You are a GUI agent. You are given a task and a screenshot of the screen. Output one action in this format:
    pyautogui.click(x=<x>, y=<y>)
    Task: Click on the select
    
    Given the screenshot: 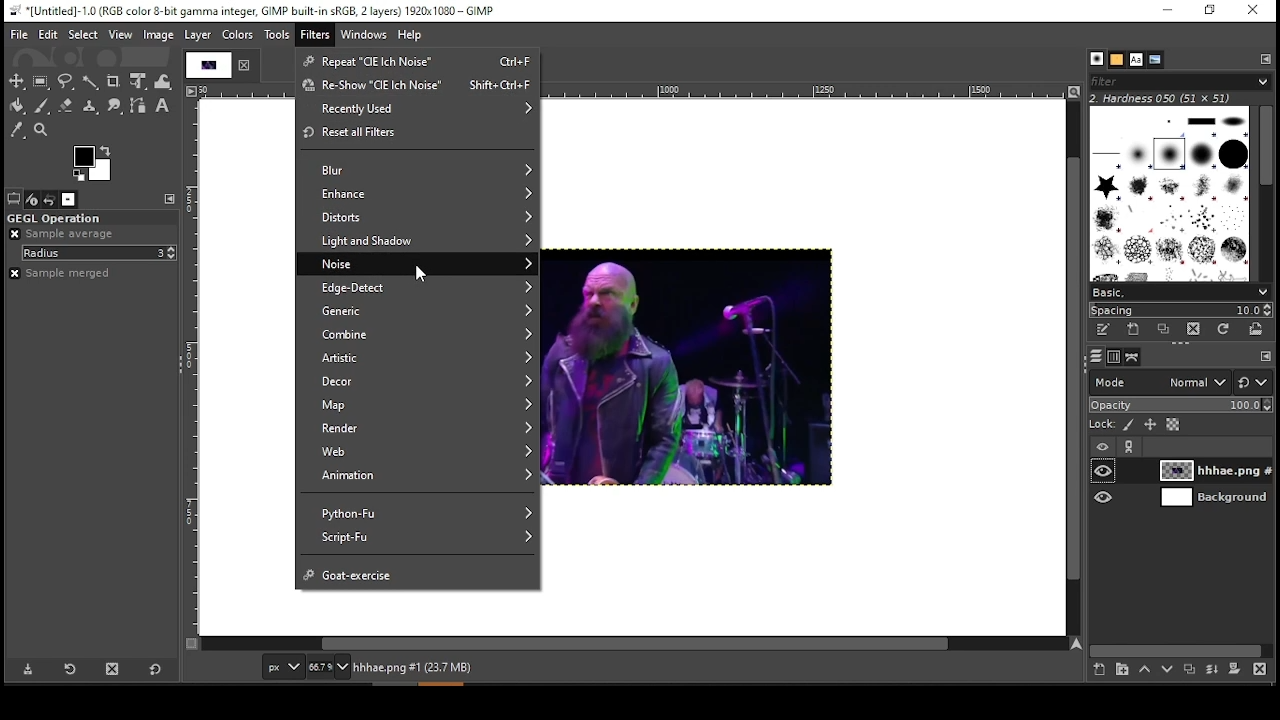 What is the action you would take?
    pyautogui.click(x=83, y=34)
    